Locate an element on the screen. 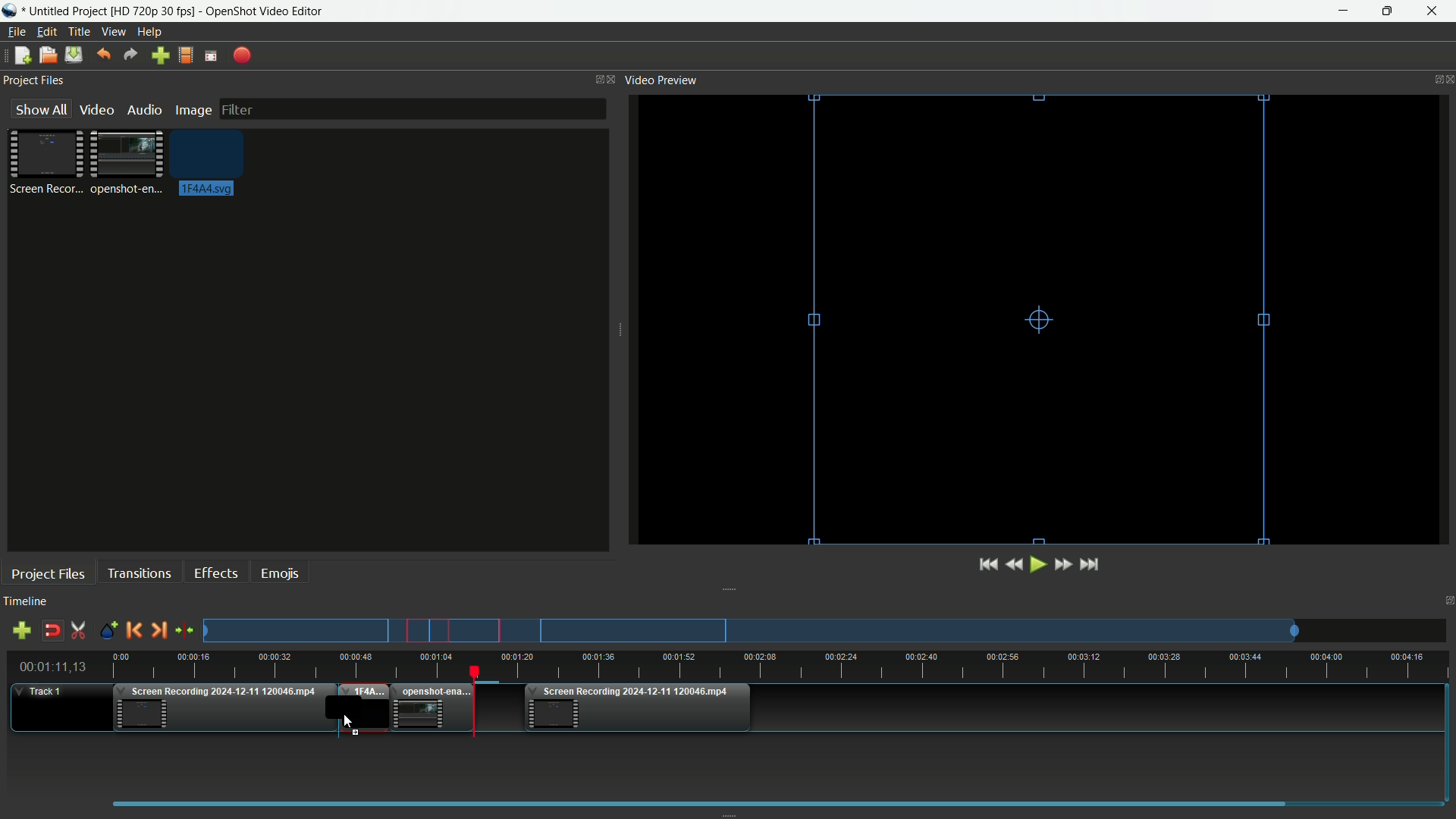 The image size is (1456, 819). View menu is located at coordinates (112, 33).